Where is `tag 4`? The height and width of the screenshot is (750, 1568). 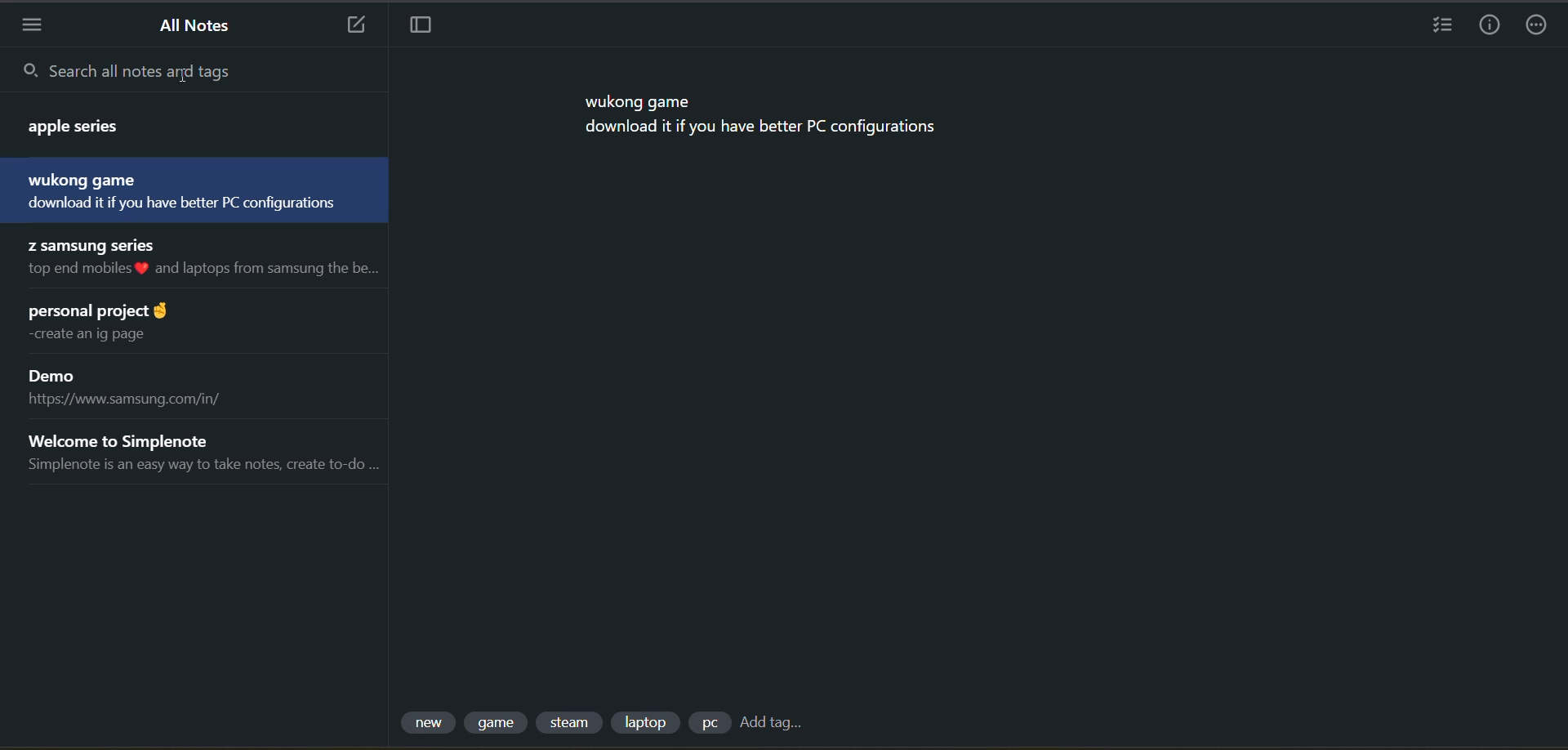 tag 4 is located at coordinates (646, 721).